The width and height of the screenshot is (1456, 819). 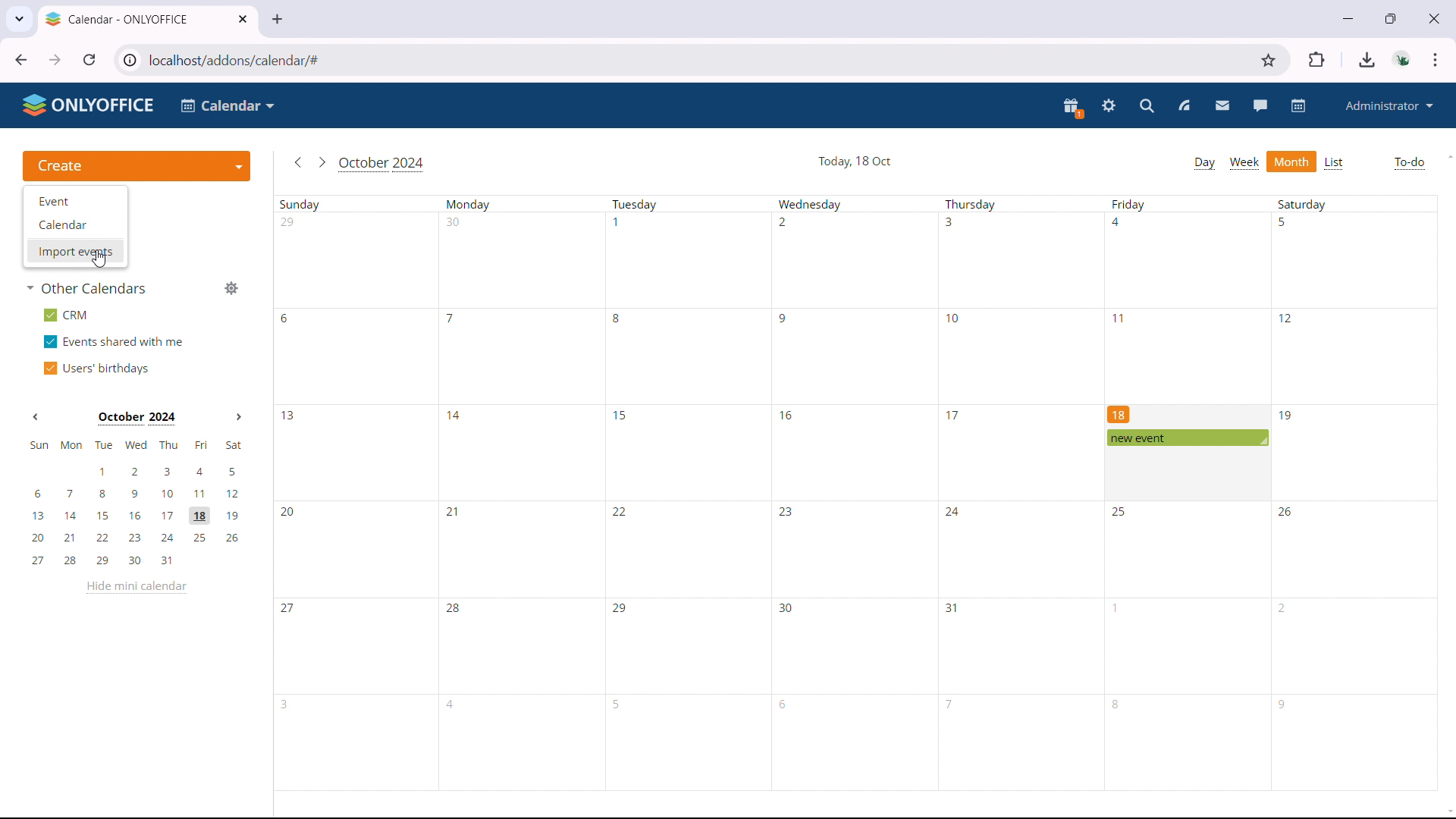 I want to click on downloads, so click(x=1367, y=60).